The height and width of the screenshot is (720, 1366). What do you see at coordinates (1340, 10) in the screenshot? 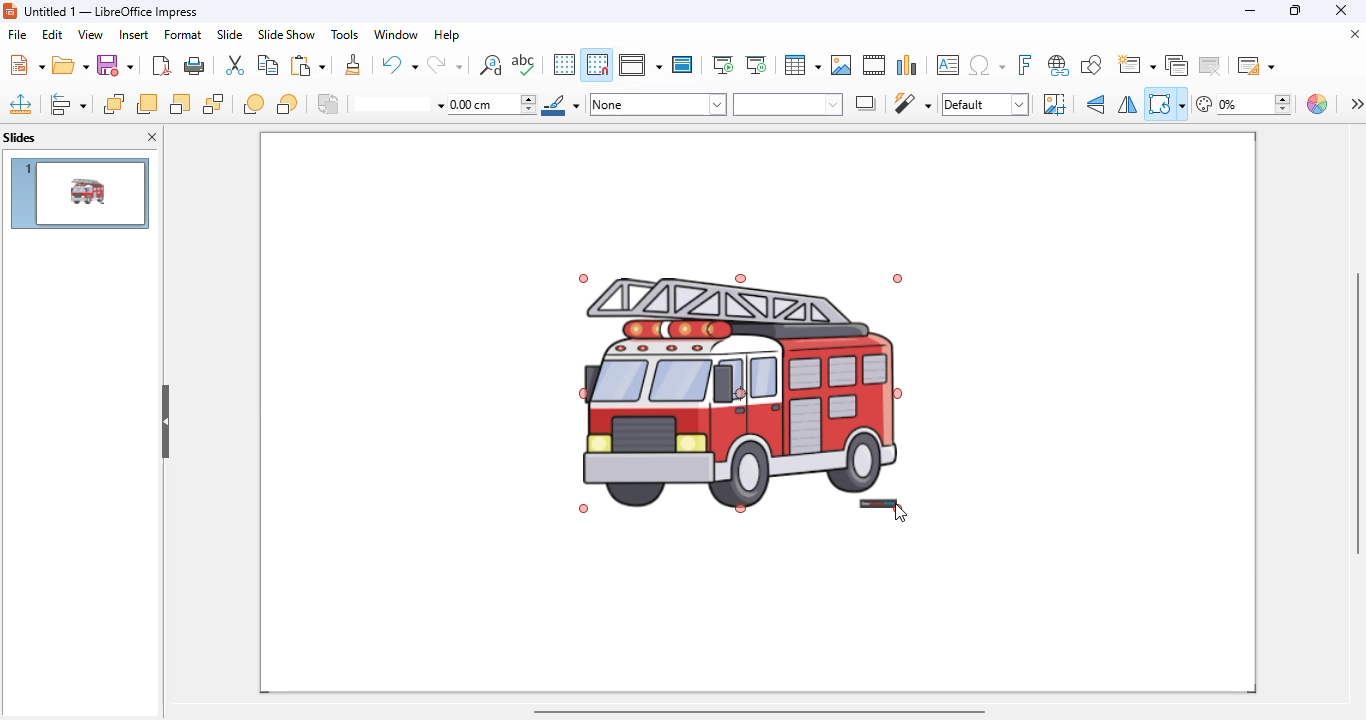
I see `close` at bounding box center [1340, 10].